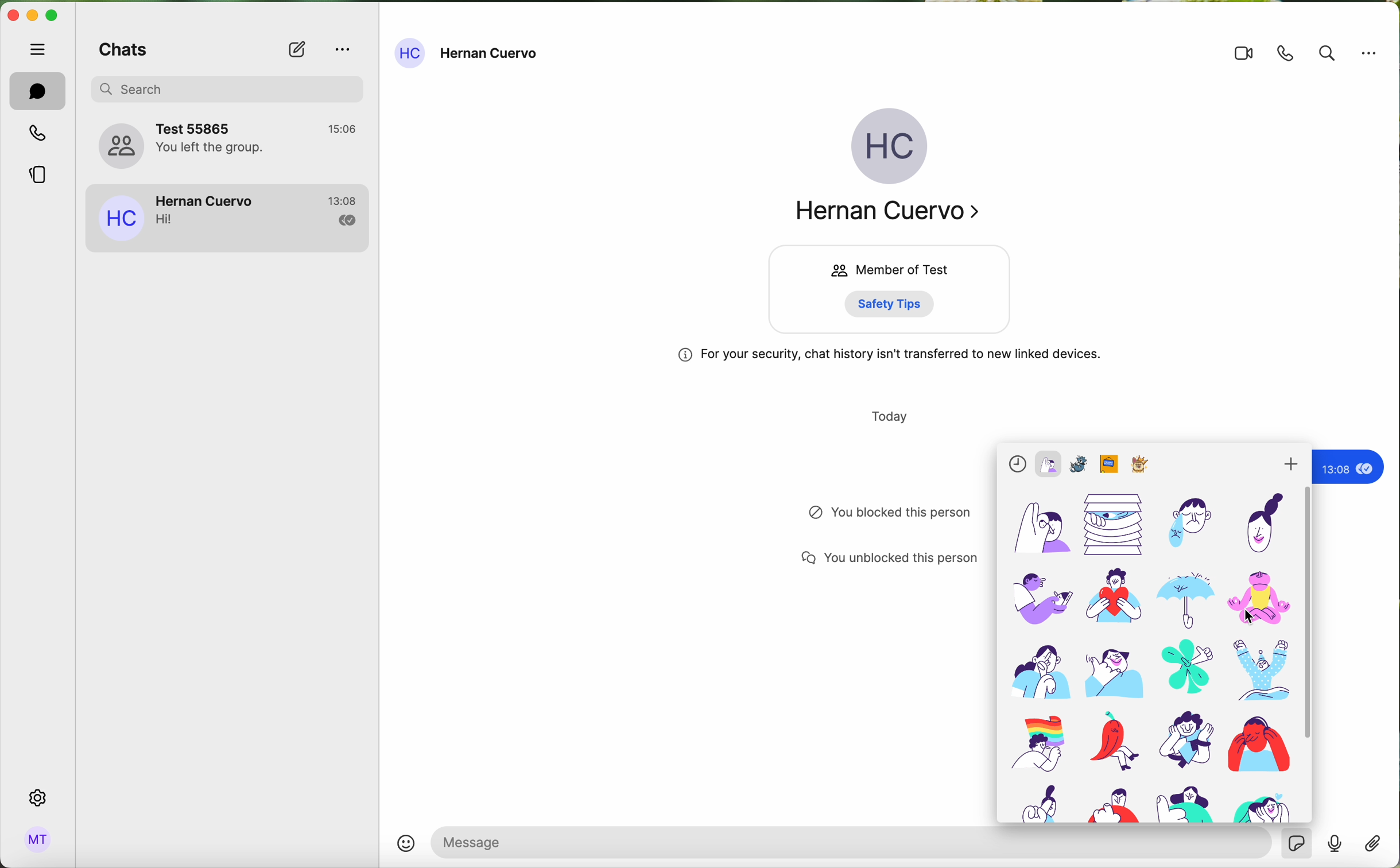 The width and height of the screenshot is (1400, 868). I want to click on chats, so click(122, 52).